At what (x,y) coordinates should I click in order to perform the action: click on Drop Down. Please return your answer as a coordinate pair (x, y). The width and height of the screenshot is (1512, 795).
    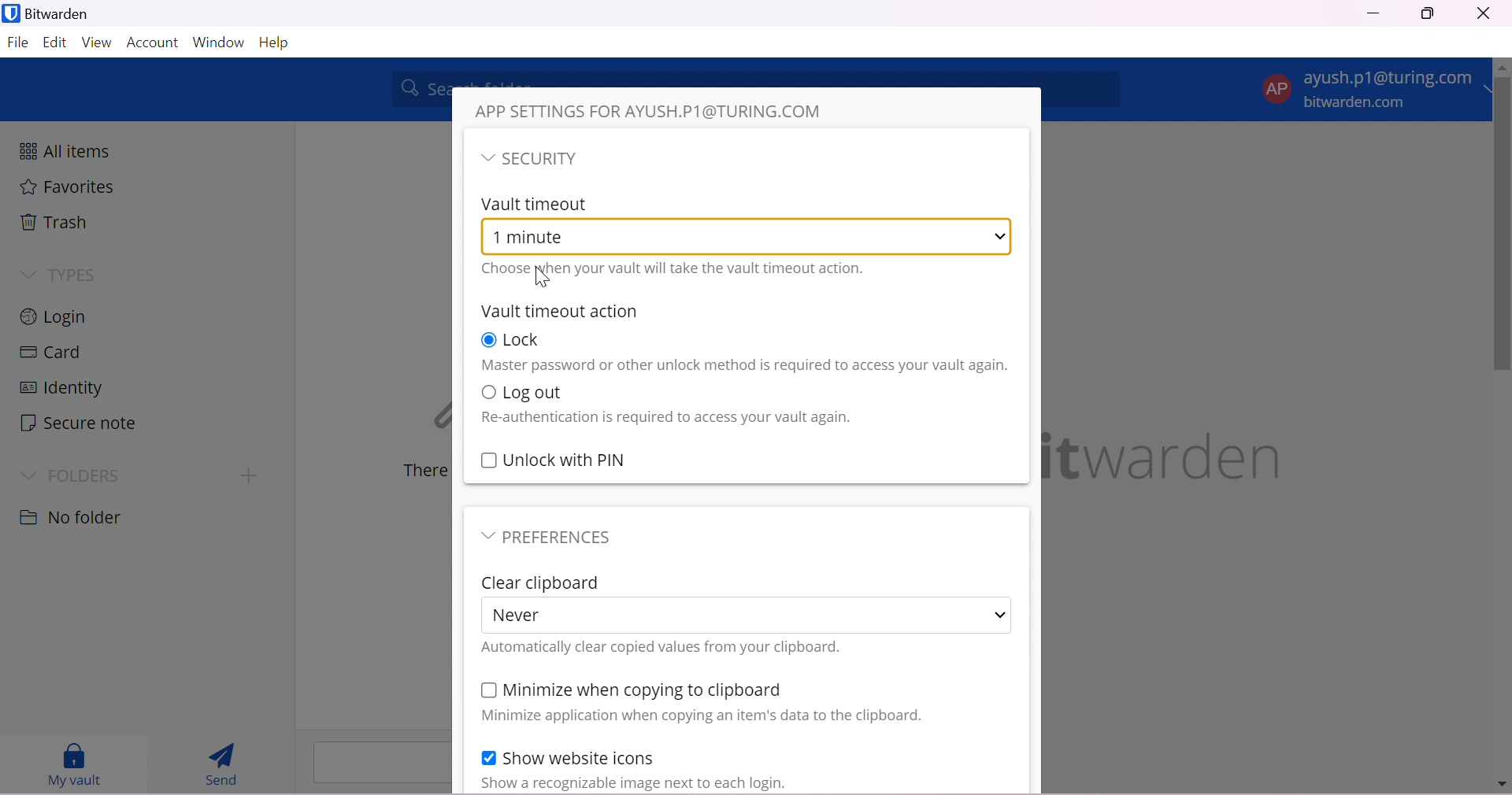
    Looking at the image, I should click on (27, 275).